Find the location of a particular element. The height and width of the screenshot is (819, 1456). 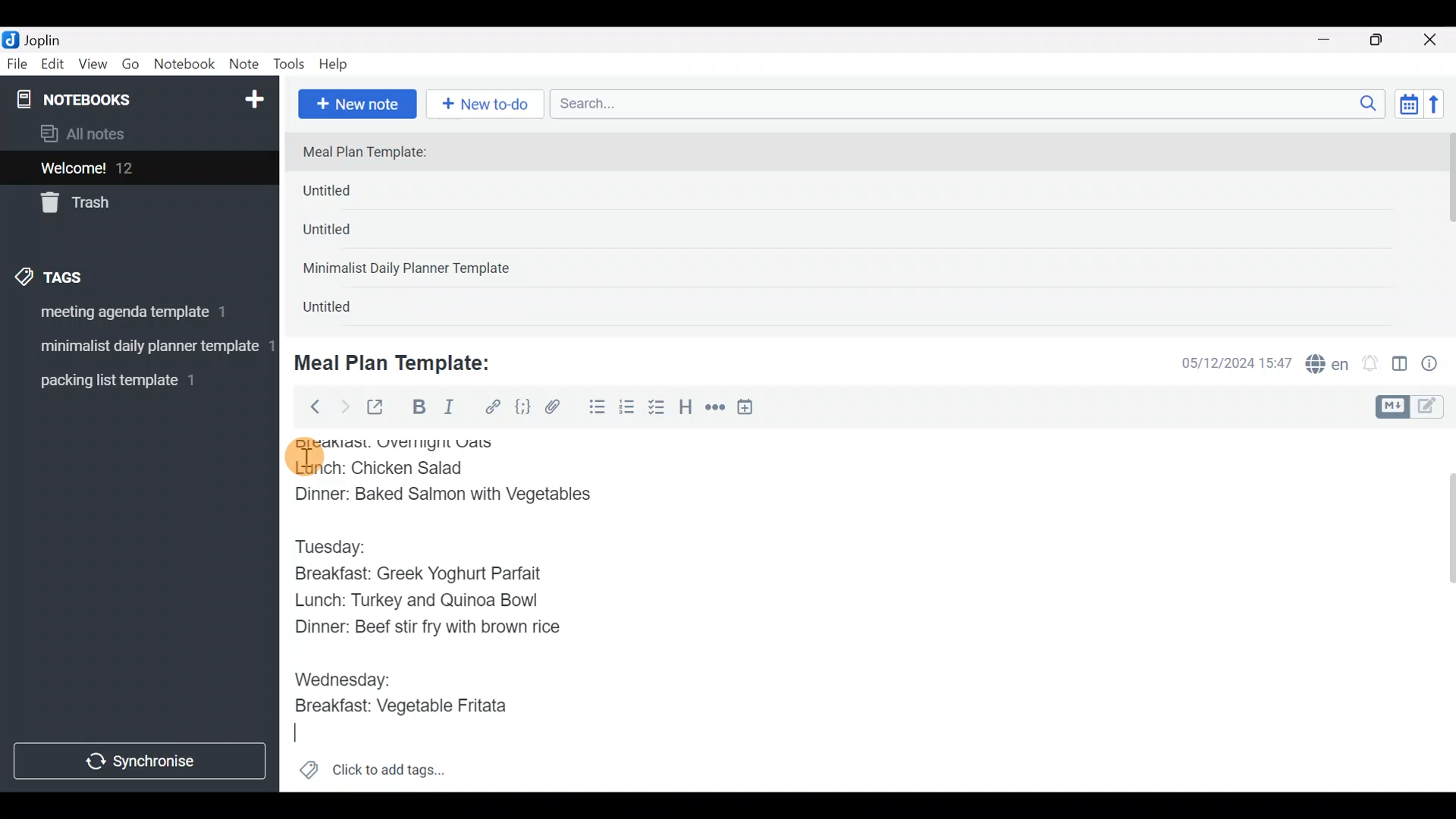

New to-do is located at coordinates (488, 105).